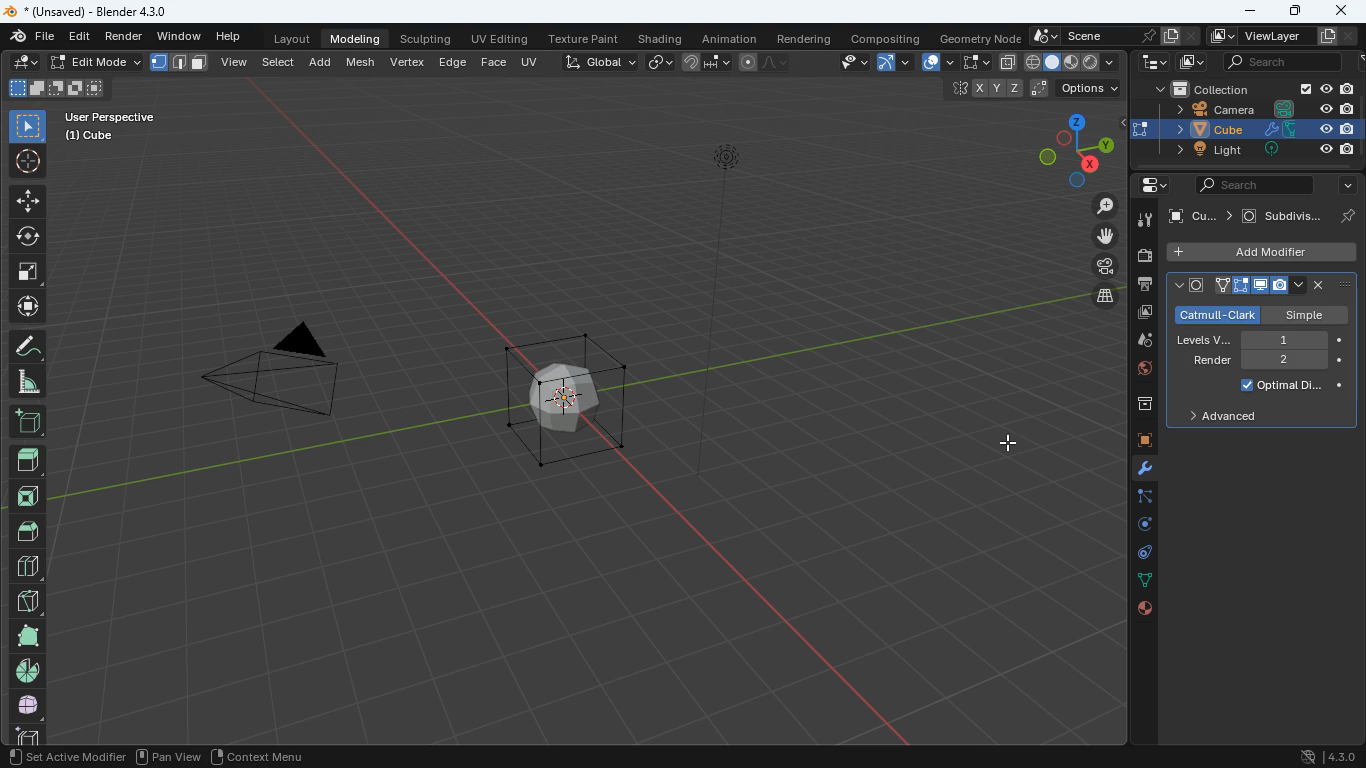 This screenshot has height=768, width=1366. I want to click on minimize, so click(1247, 10).